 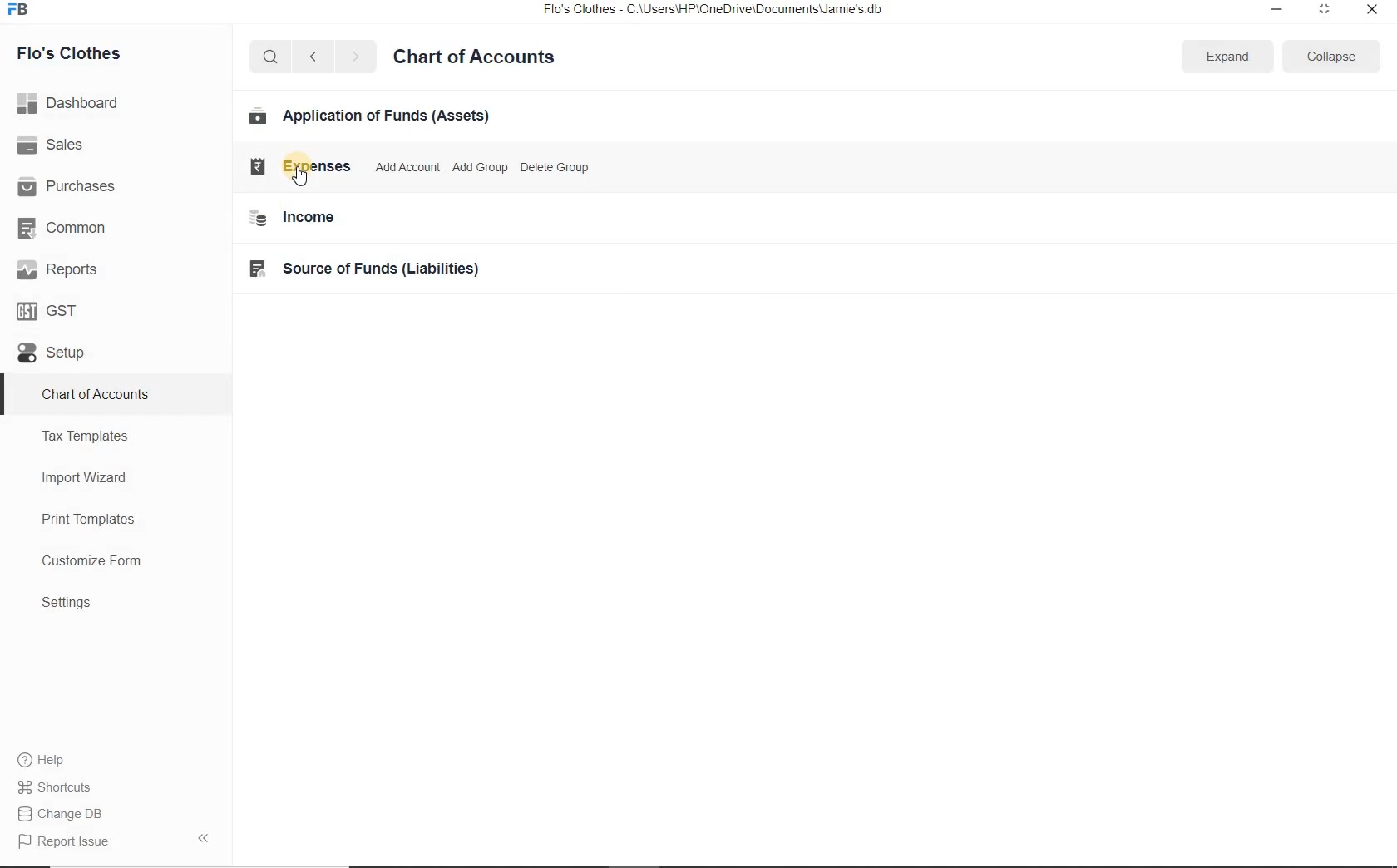 What do you see at coordinates (71, 53) in the screenshot?
I see `Flo's Clothes` at bounding box center [71, 53].